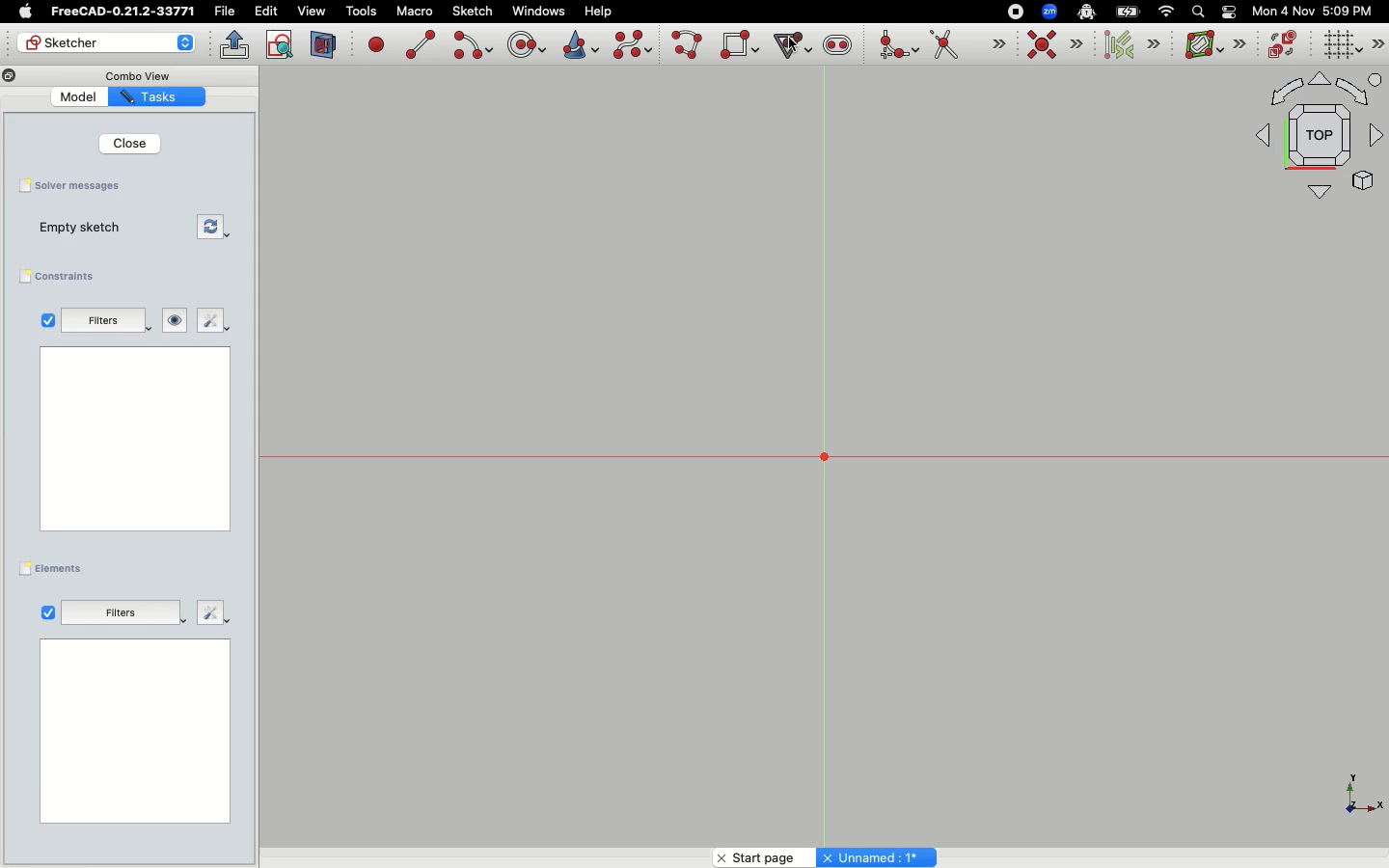 The width and height of the screenshot is (1389, 868). I want to click on Create regular polygon, so click(791, 44).